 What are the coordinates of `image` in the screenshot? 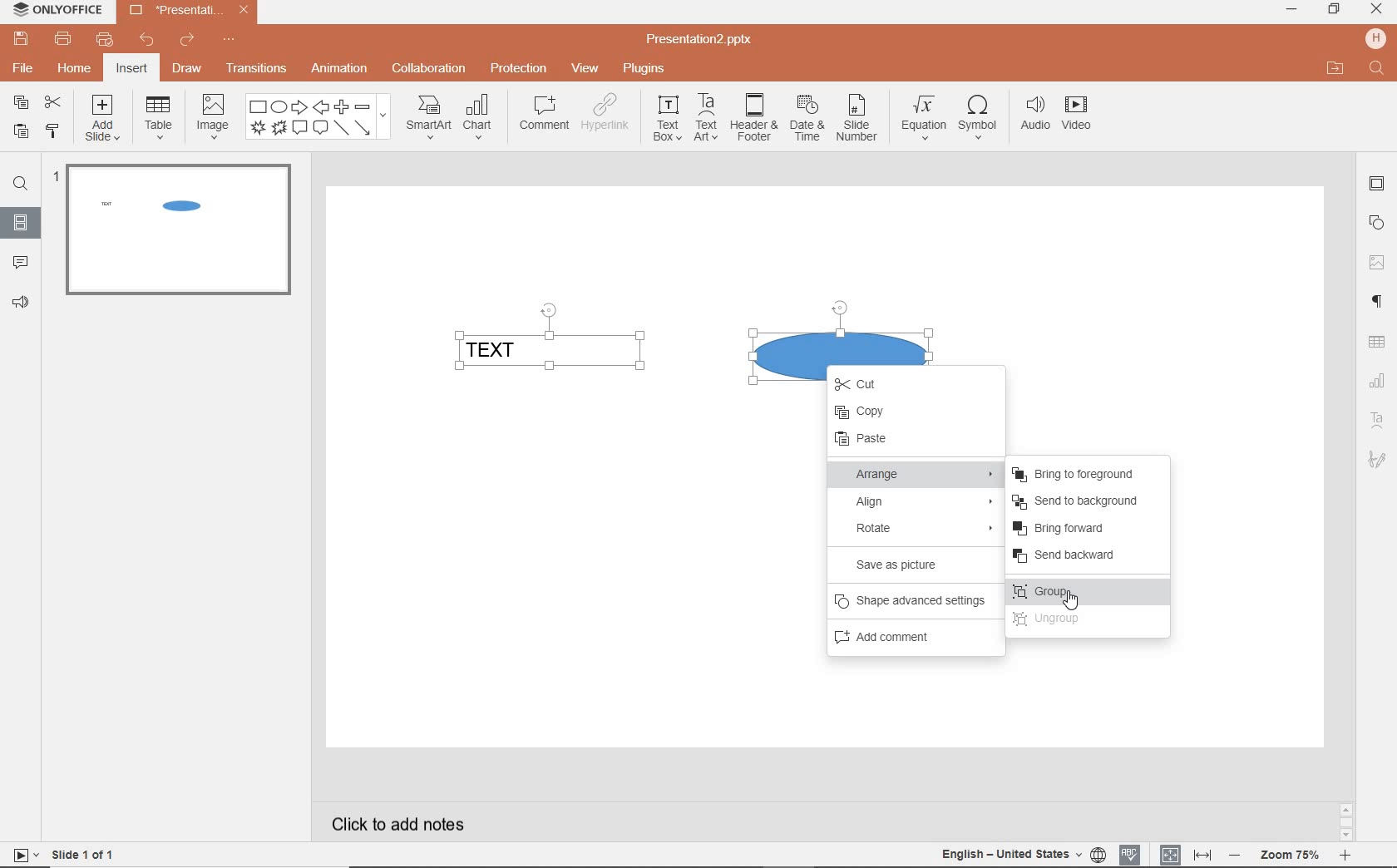 It's located at (210, 116).